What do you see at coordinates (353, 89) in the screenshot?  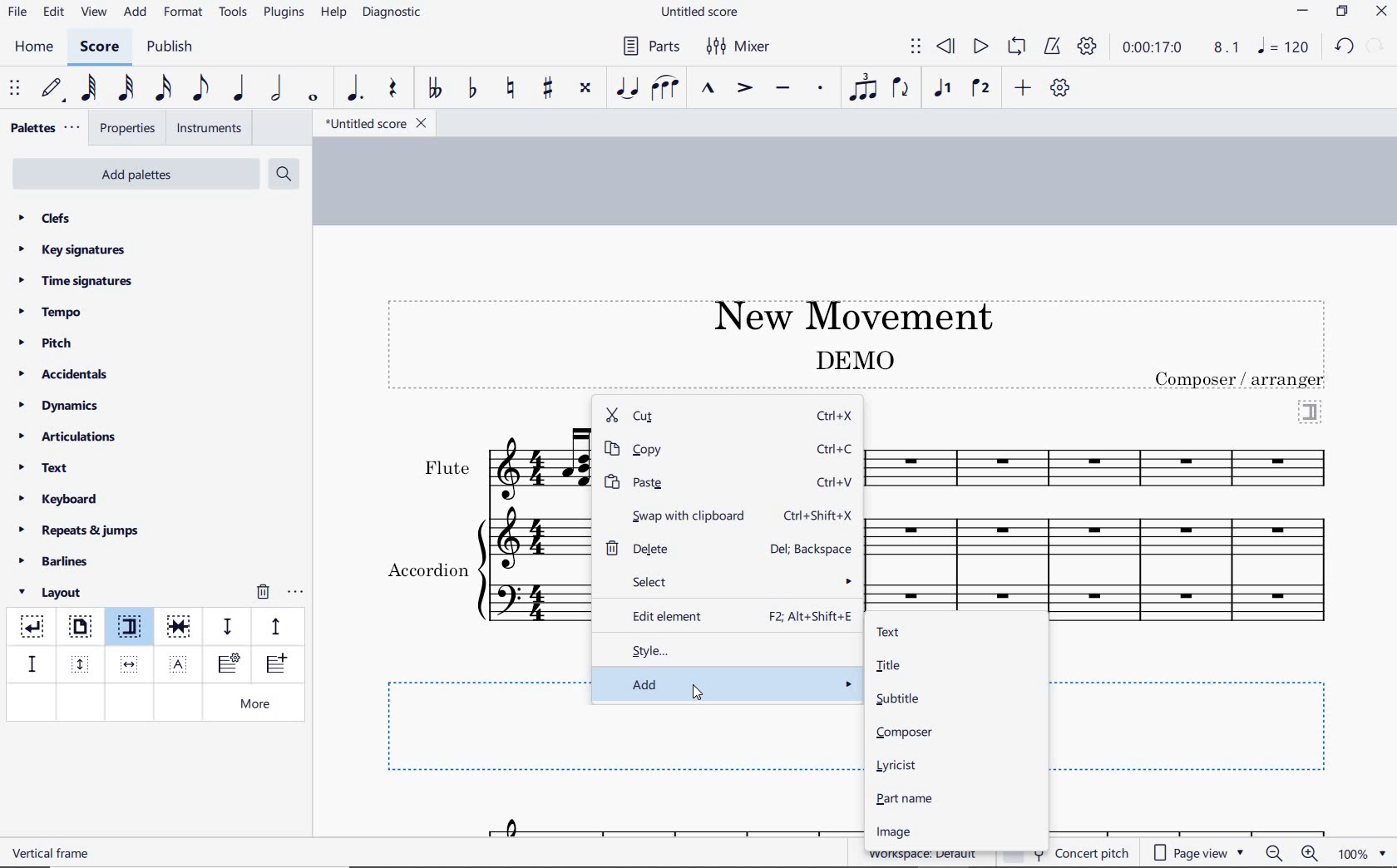 I see `augmentation dot` at bounding box center [353, 89].